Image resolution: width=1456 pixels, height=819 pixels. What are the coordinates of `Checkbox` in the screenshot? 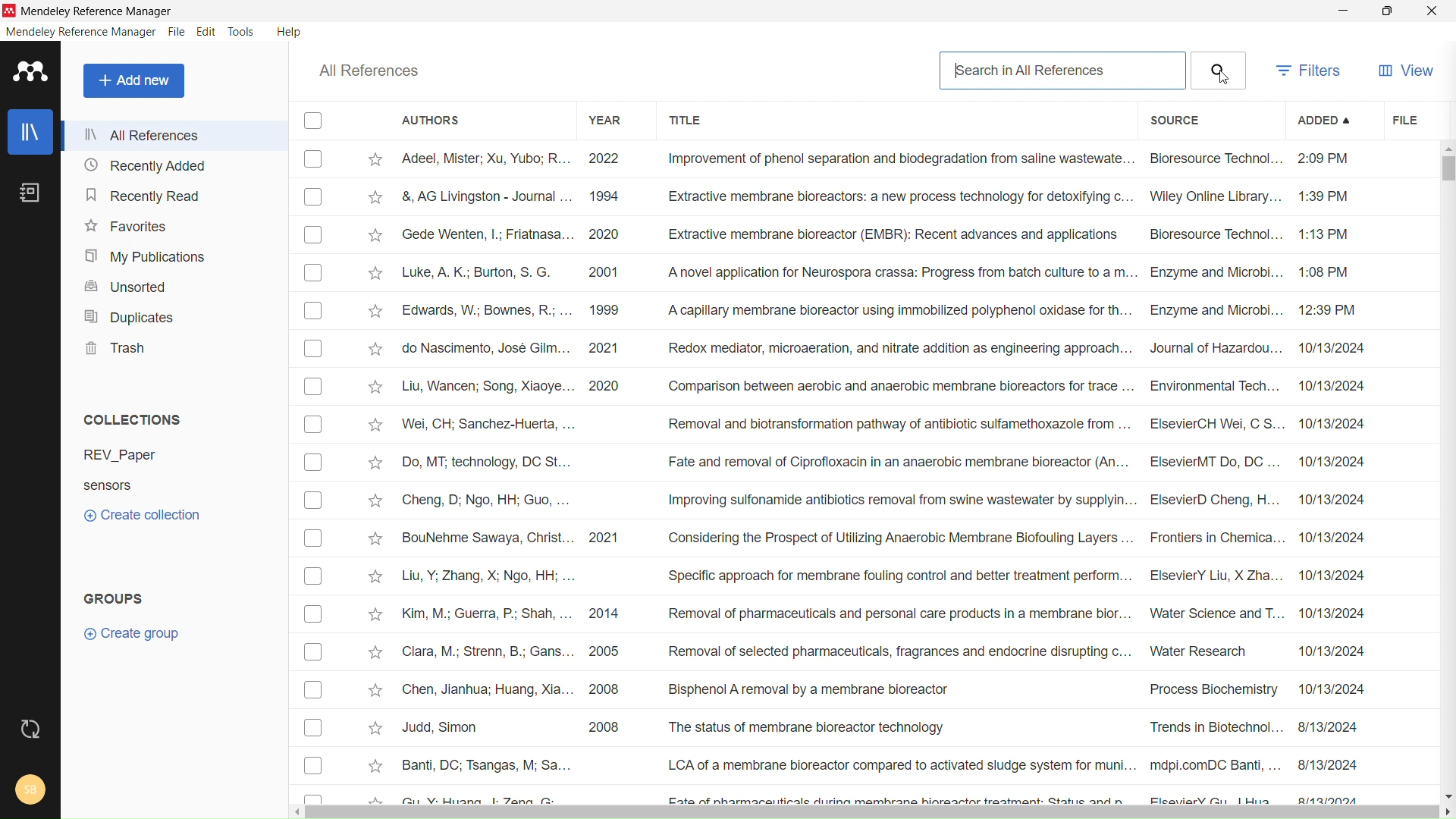 It's located at (315, 616).